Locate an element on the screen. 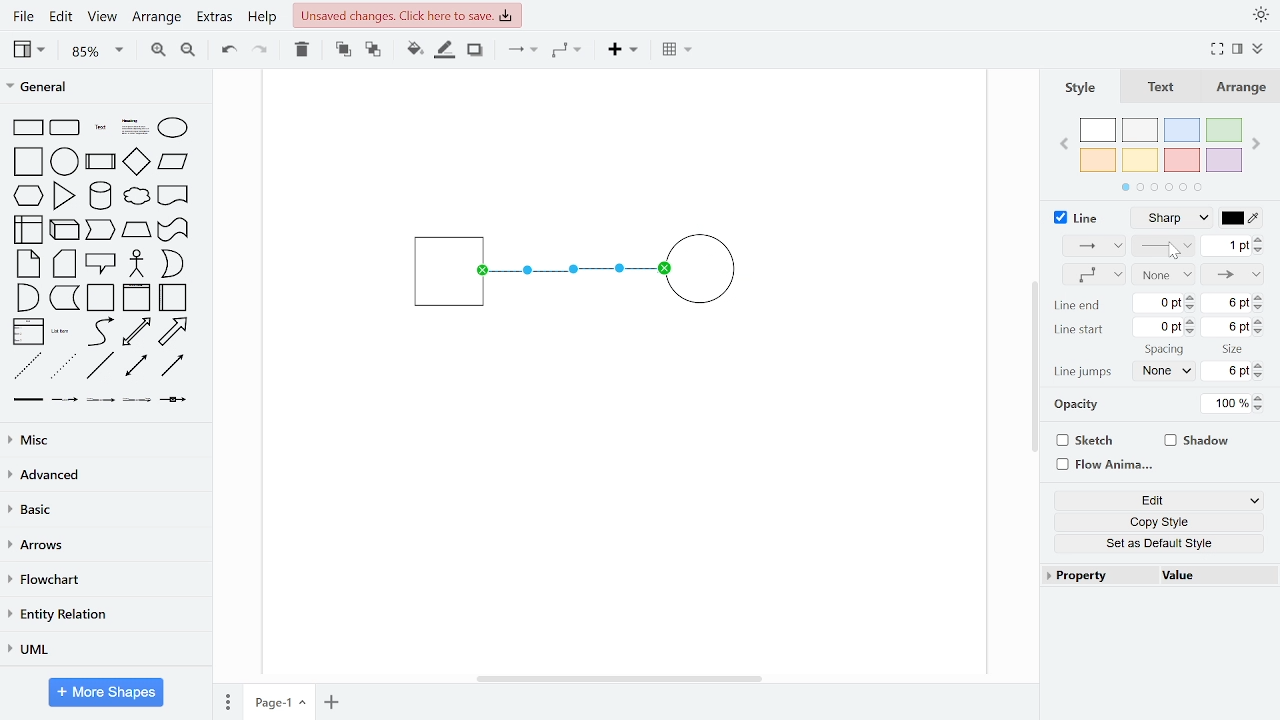 The height and width of the screenshot is (720, 1280). property  is located at coordinates (1097, 574).